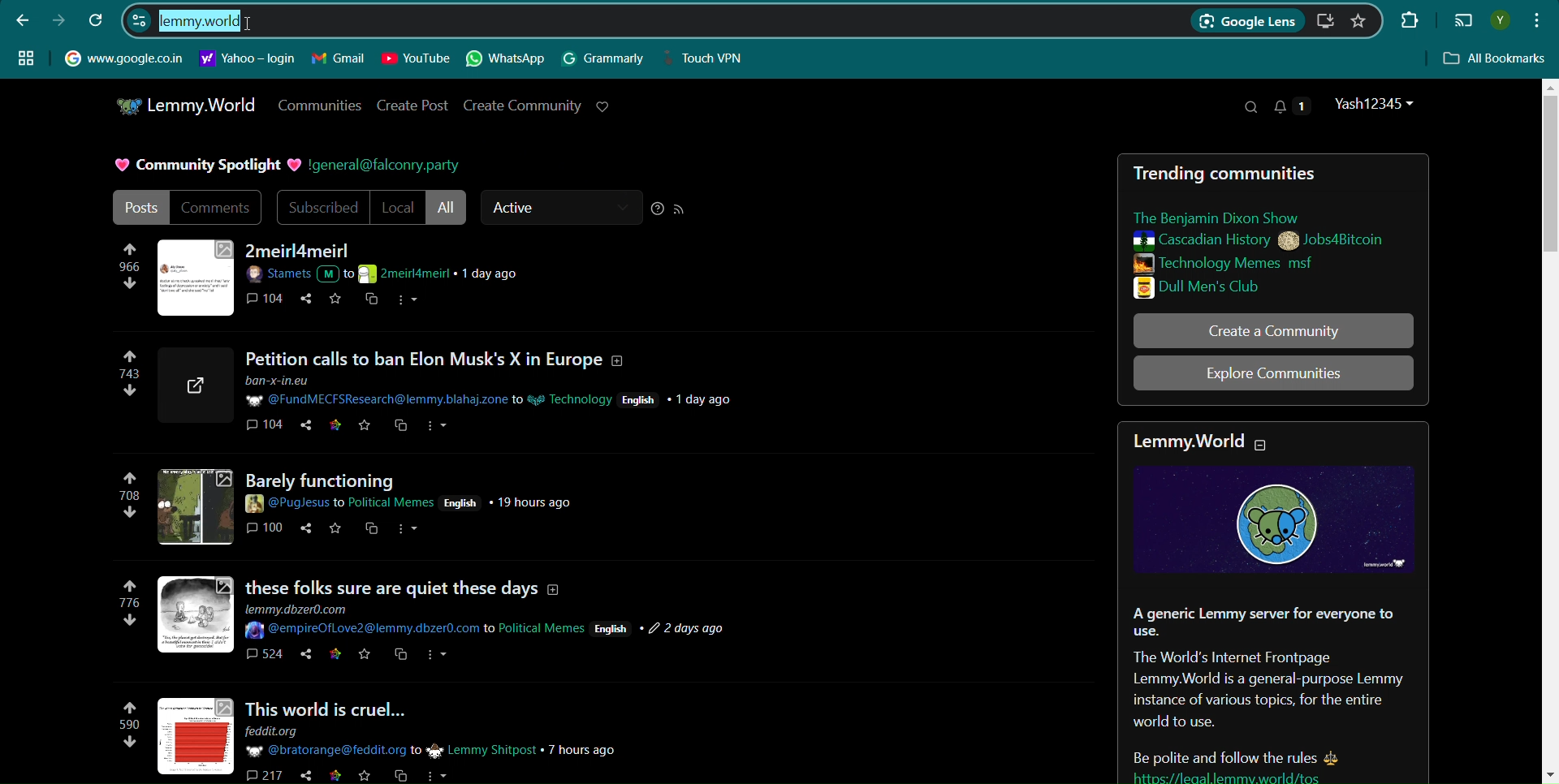 The height and width of the screenshot is (784, 1559). I want to click on 776, so click(132, 610).